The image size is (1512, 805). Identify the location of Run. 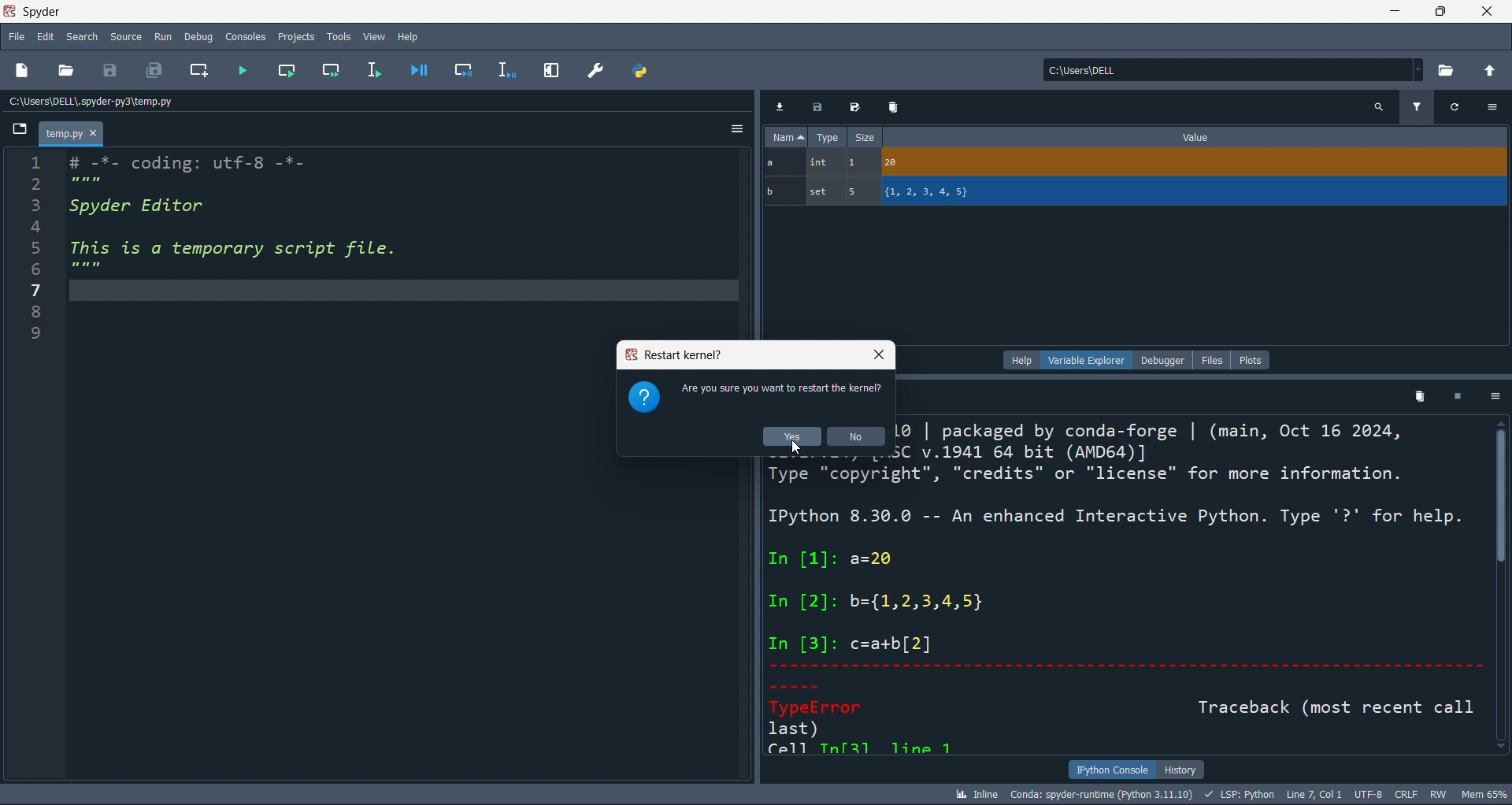
(165, 38).